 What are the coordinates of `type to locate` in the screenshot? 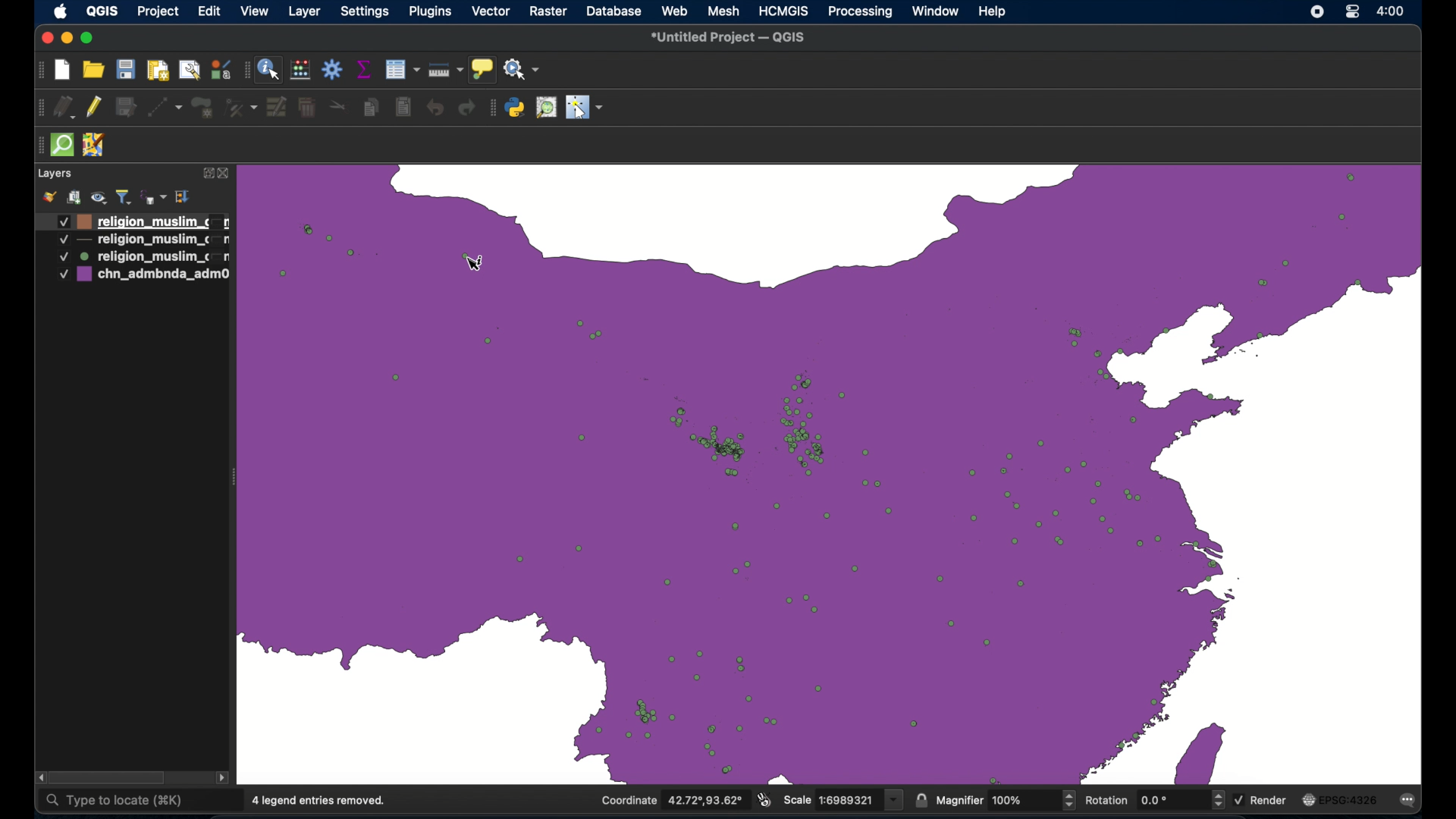 It's located at (114, 803).